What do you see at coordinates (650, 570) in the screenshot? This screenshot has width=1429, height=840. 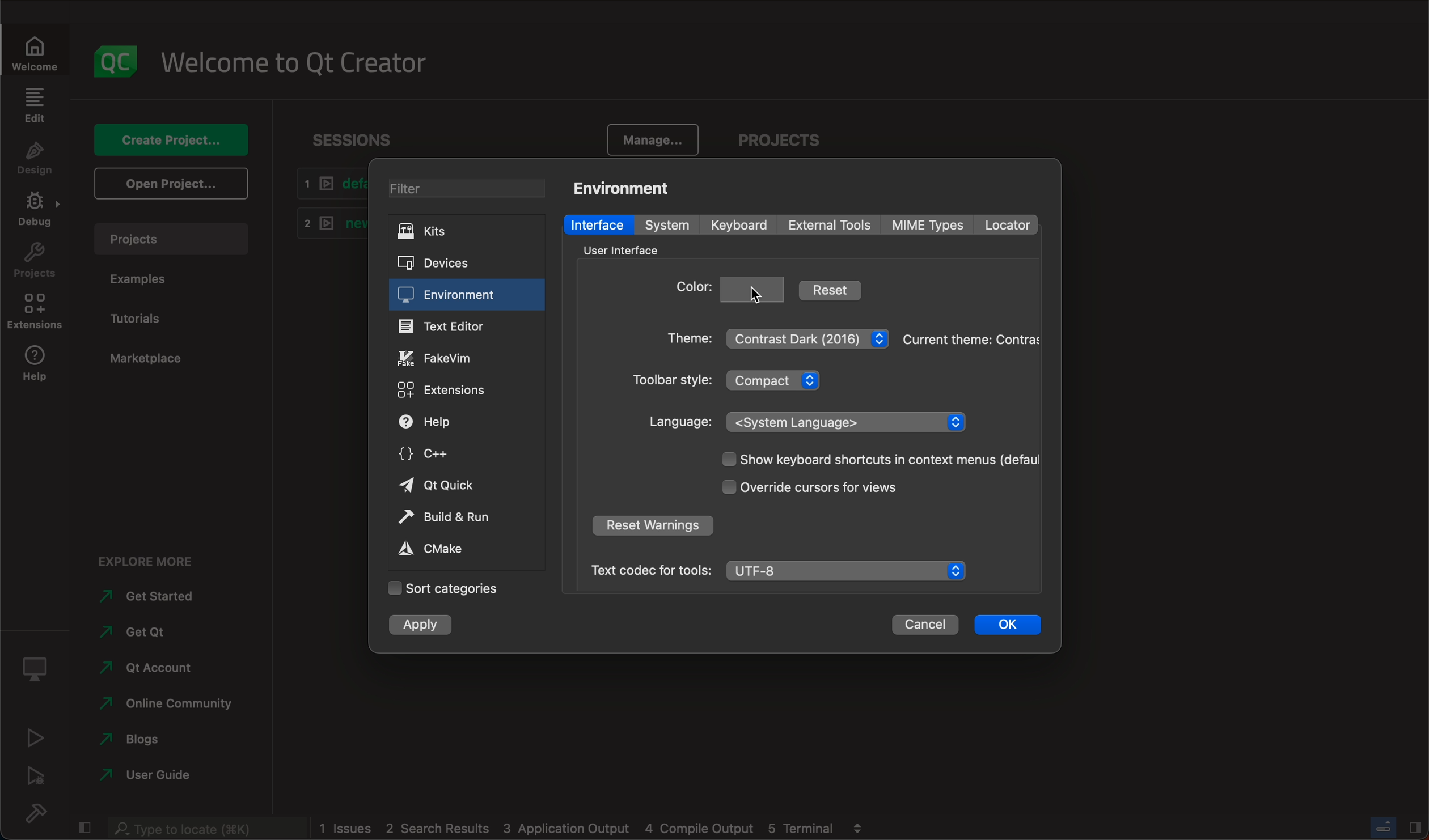 I see `text code` at bounding box center [650, 570].